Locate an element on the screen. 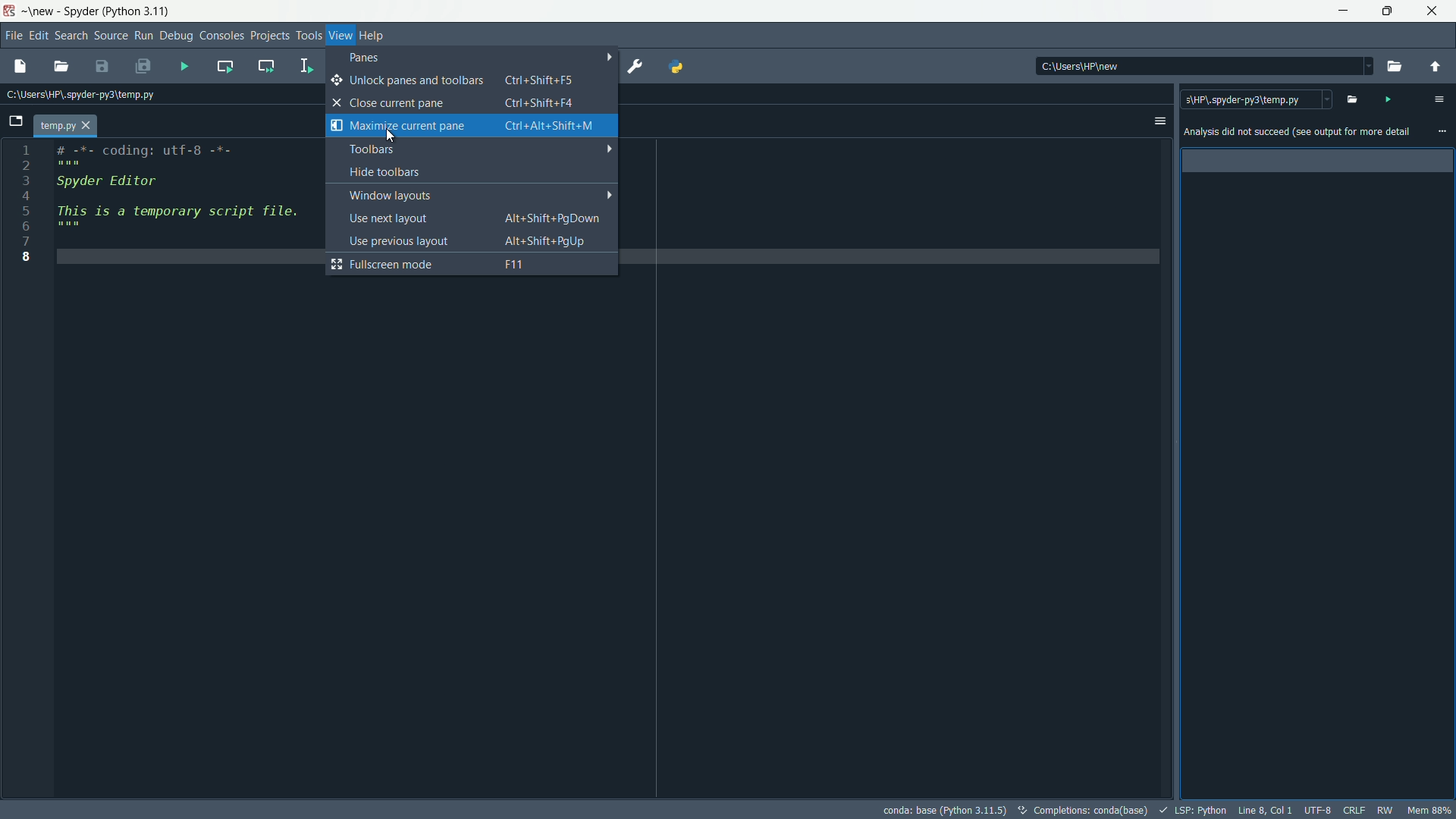  maximize is located at coordinates (1389, 11).